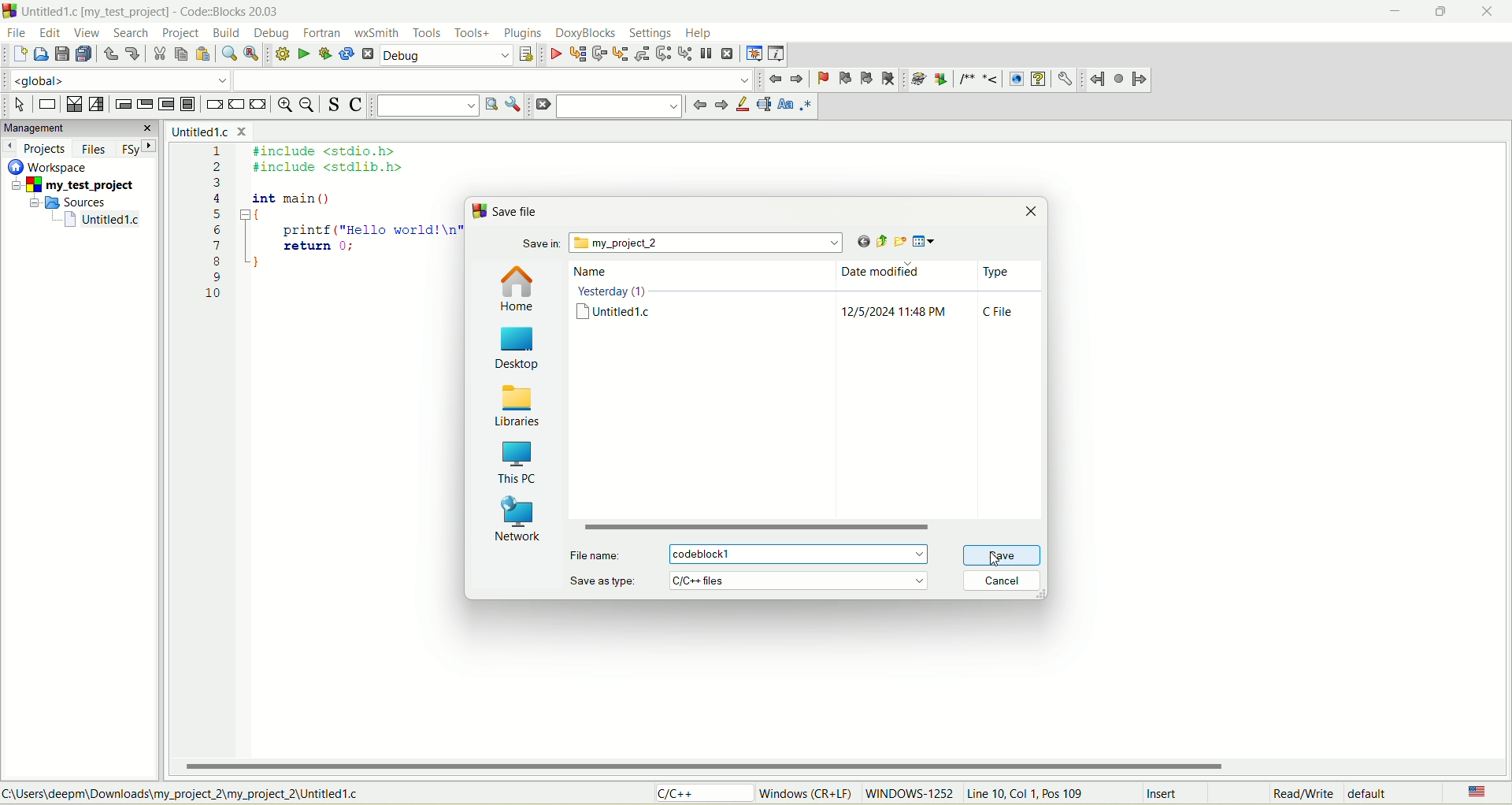 Image resolution: width=1512 pixels, height=805 pixels. Describe the element at coordinates (1165, 795) in the screenshot. I see `insert` at that location.